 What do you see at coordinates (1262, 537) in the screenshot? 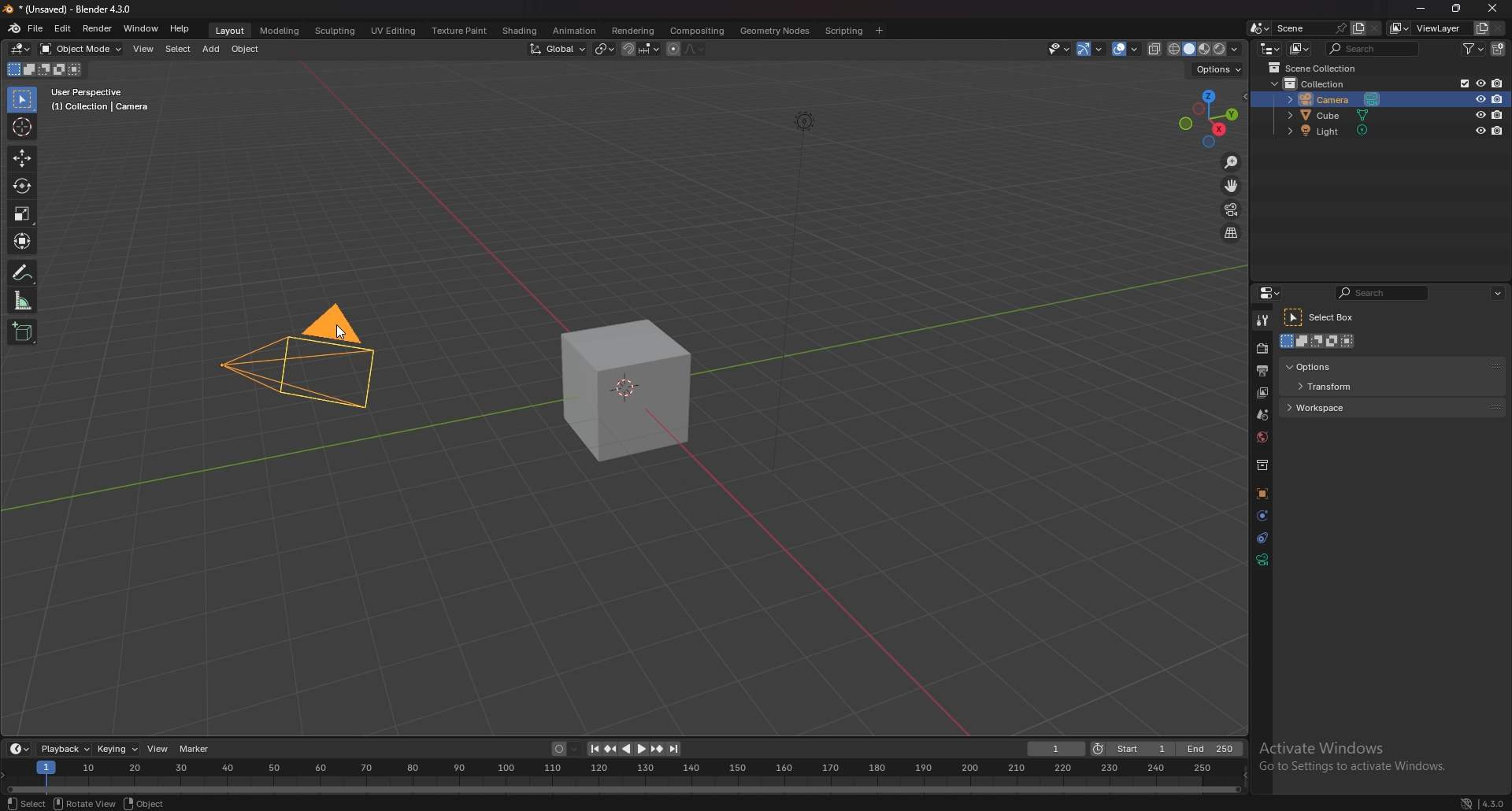
I see `constraints` at bounding box center [1262, 537].